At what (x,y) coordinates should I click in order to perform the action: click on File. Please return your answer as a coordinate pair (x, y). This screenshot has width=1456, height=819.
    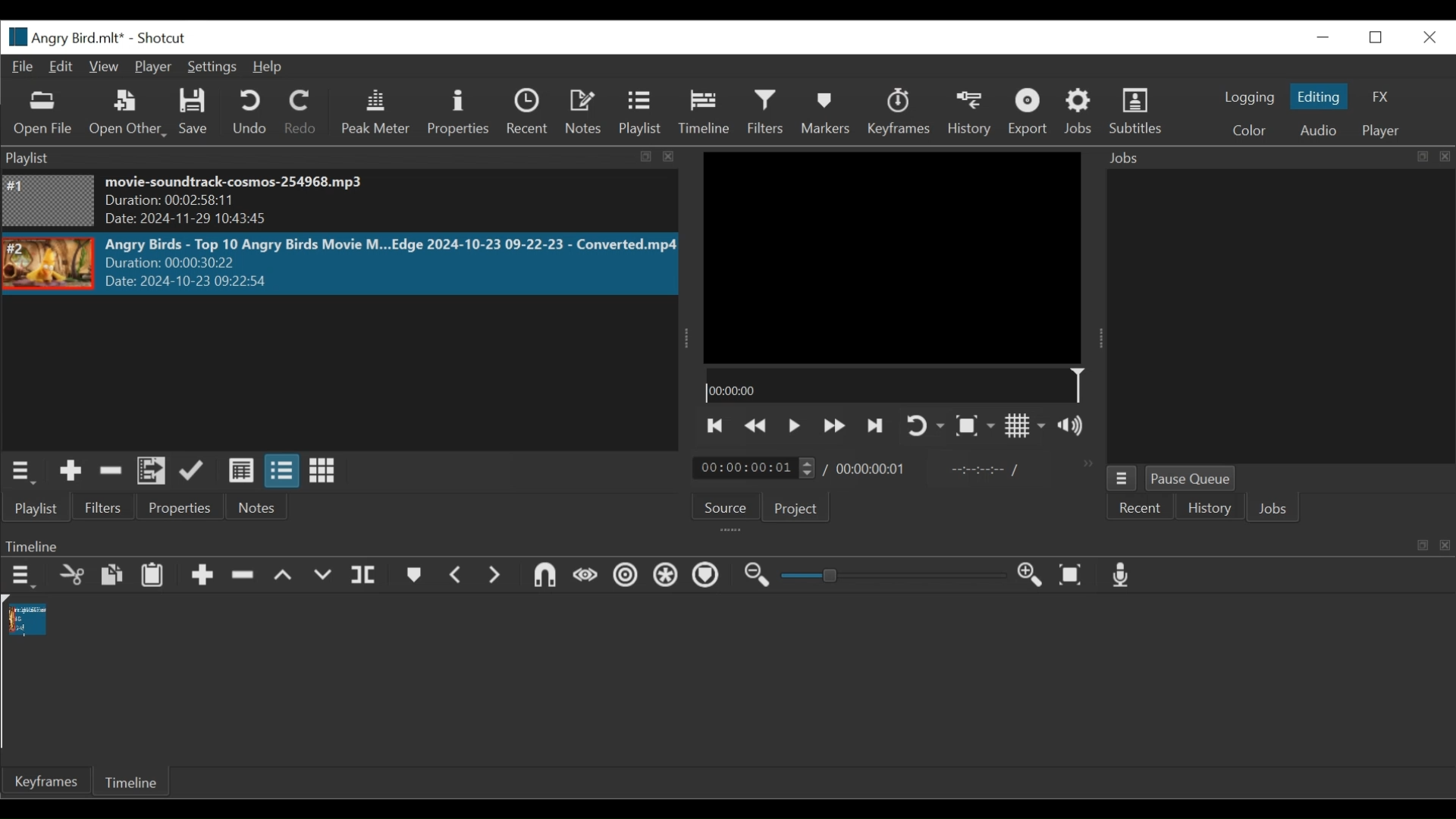
    Looking at the image, I should click on (24, 66).